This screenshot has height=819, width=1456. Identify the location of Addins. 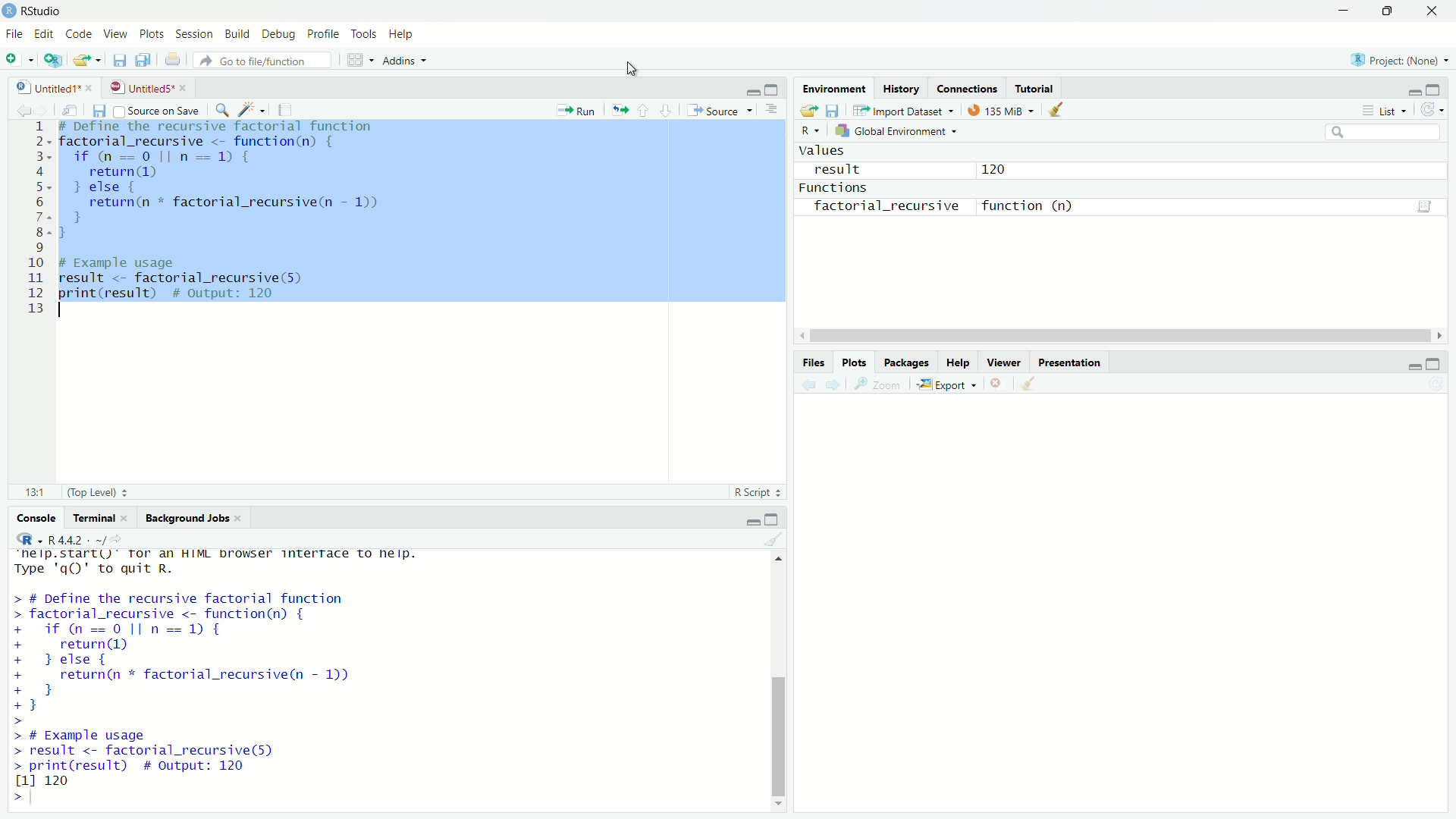
(412, 61).